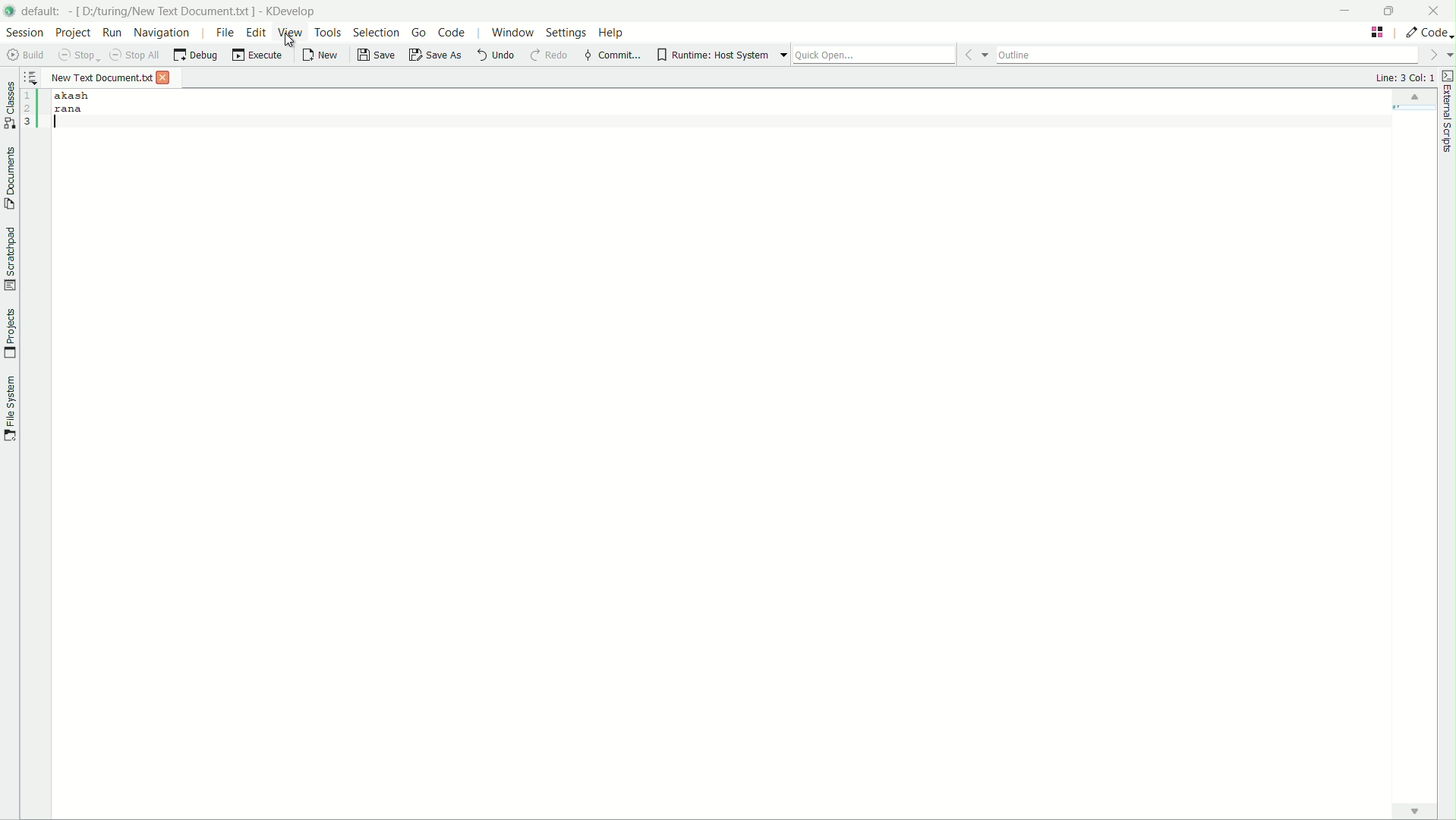  I want to click on run menu, so click(112, 33).